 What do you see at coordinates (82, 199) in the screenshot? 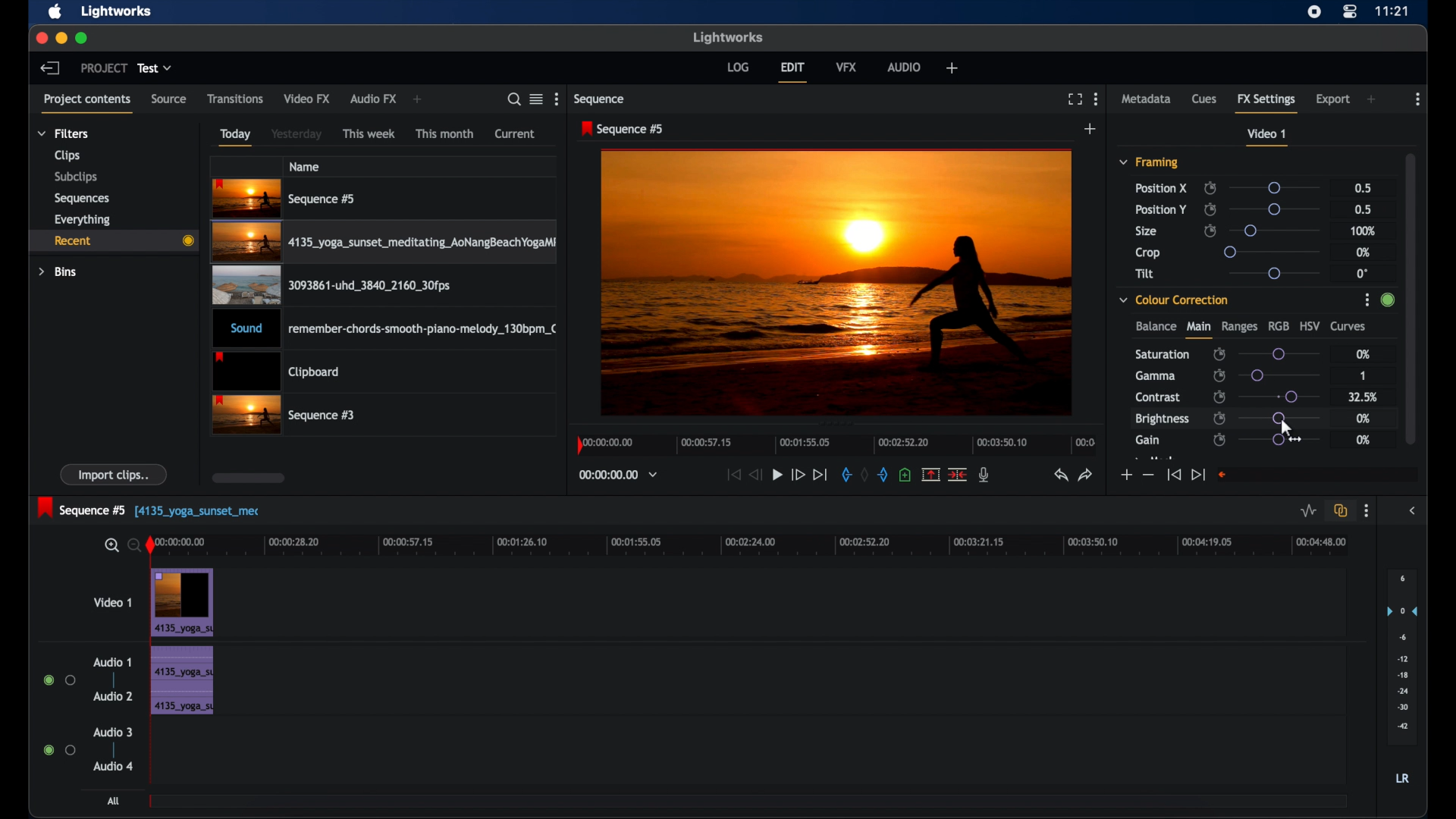
I see `sequences` at bounding box center [82, 199].